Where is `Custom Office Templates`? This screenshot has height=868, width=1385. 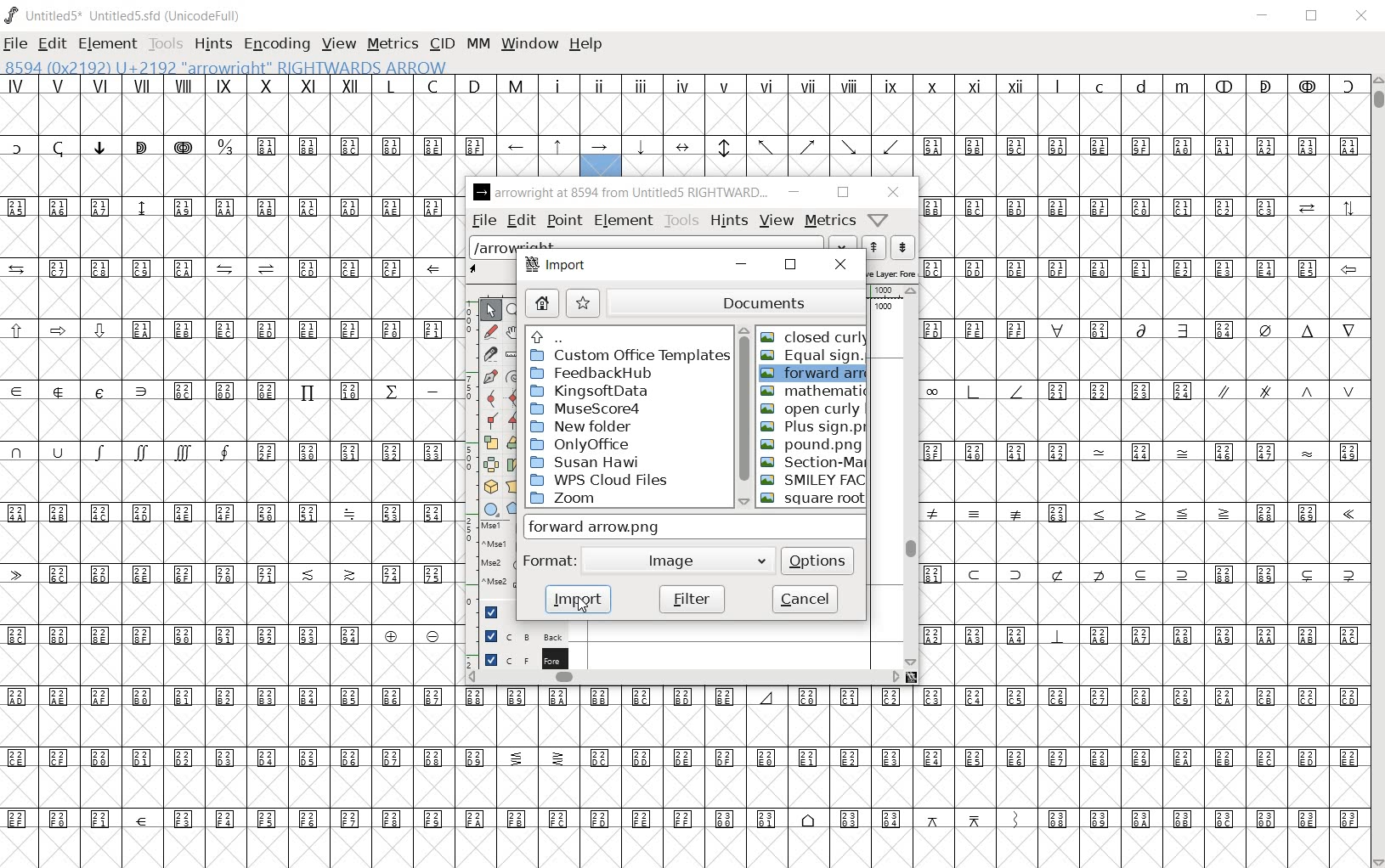 Custom Office Templates is located at coordinates (628, 356).